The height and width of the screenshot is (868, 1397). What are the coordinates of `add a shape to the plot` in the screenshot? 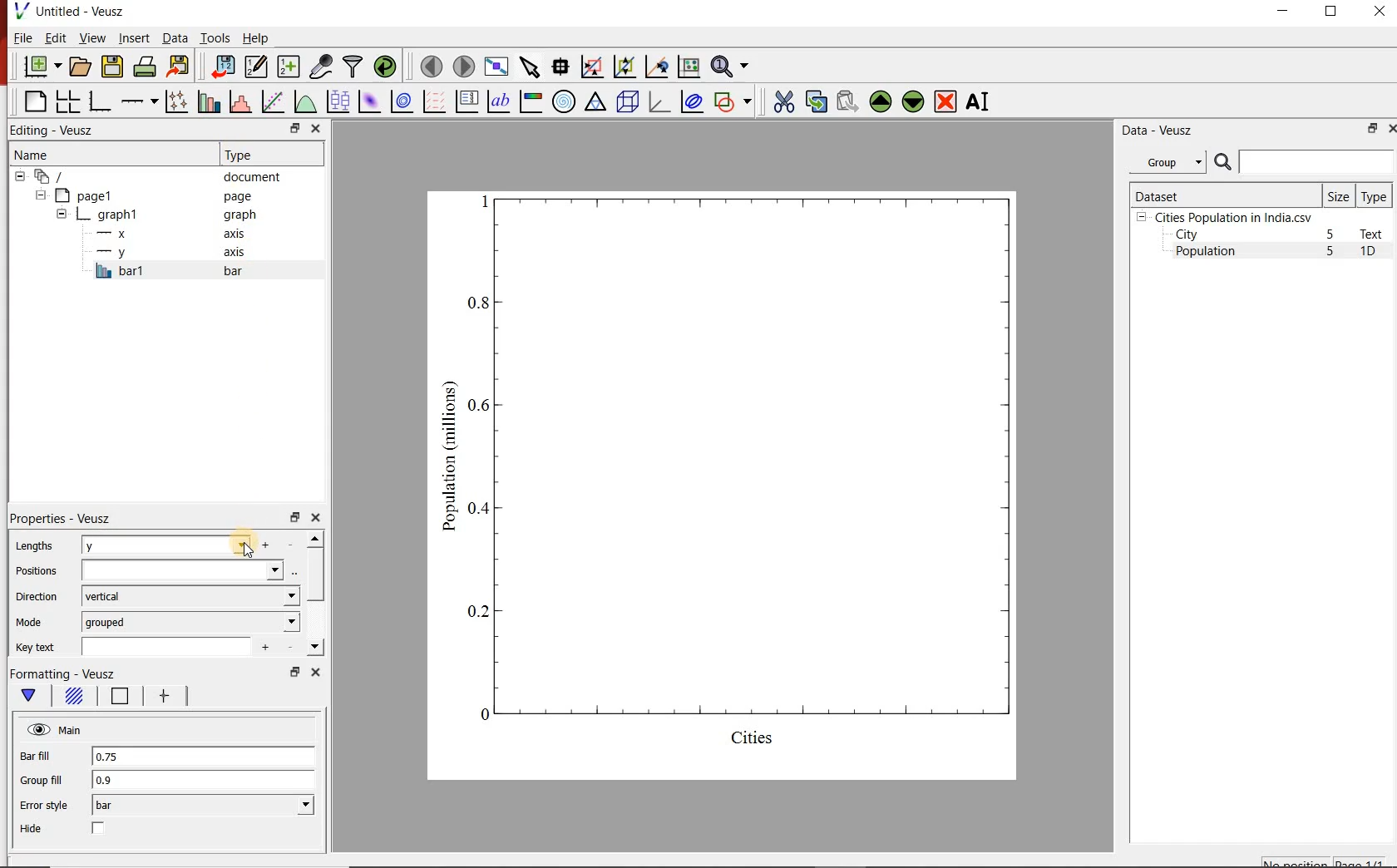 It's located at (733, 101).